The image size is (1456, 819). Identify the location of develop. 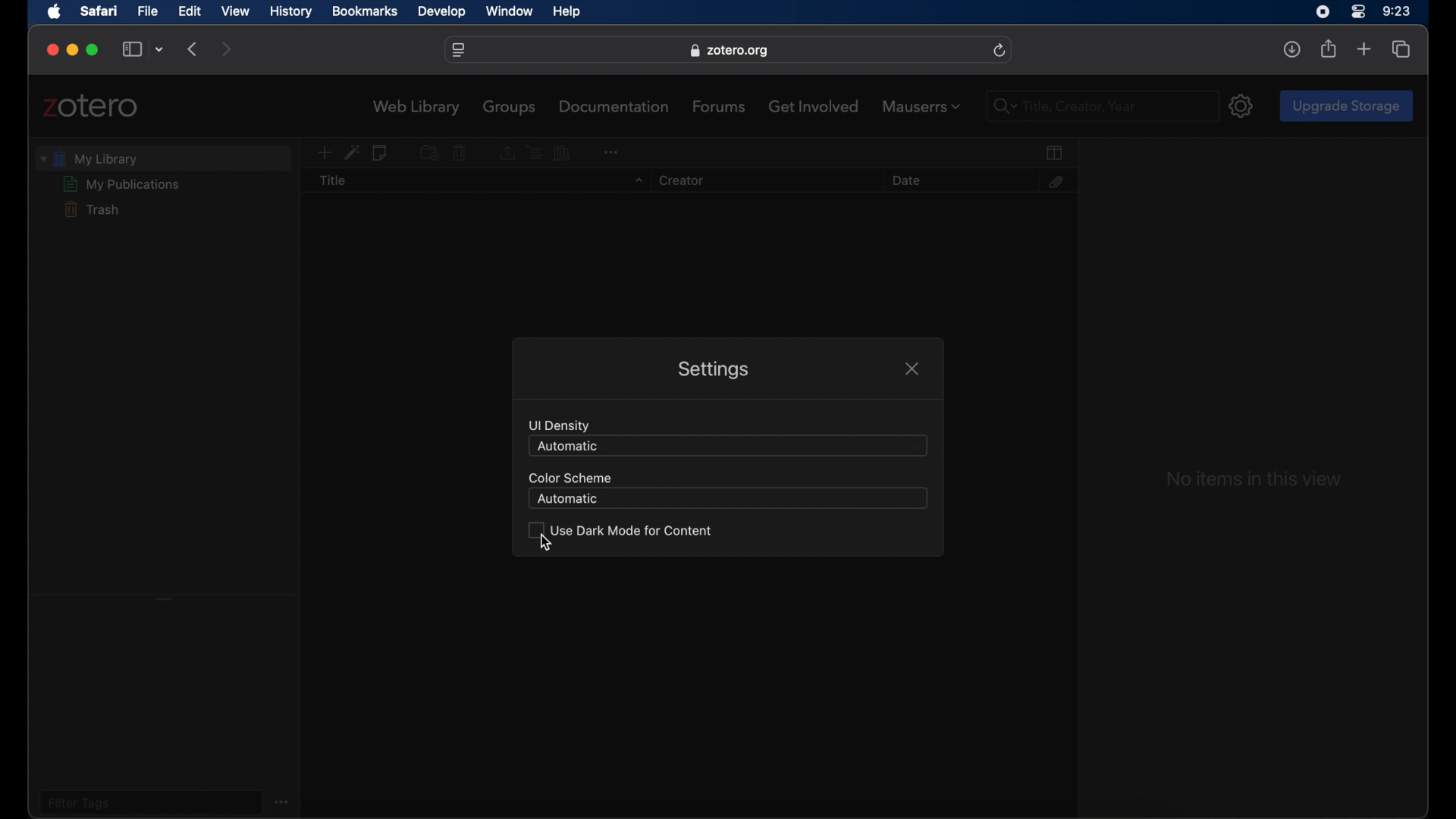
(442, 12).